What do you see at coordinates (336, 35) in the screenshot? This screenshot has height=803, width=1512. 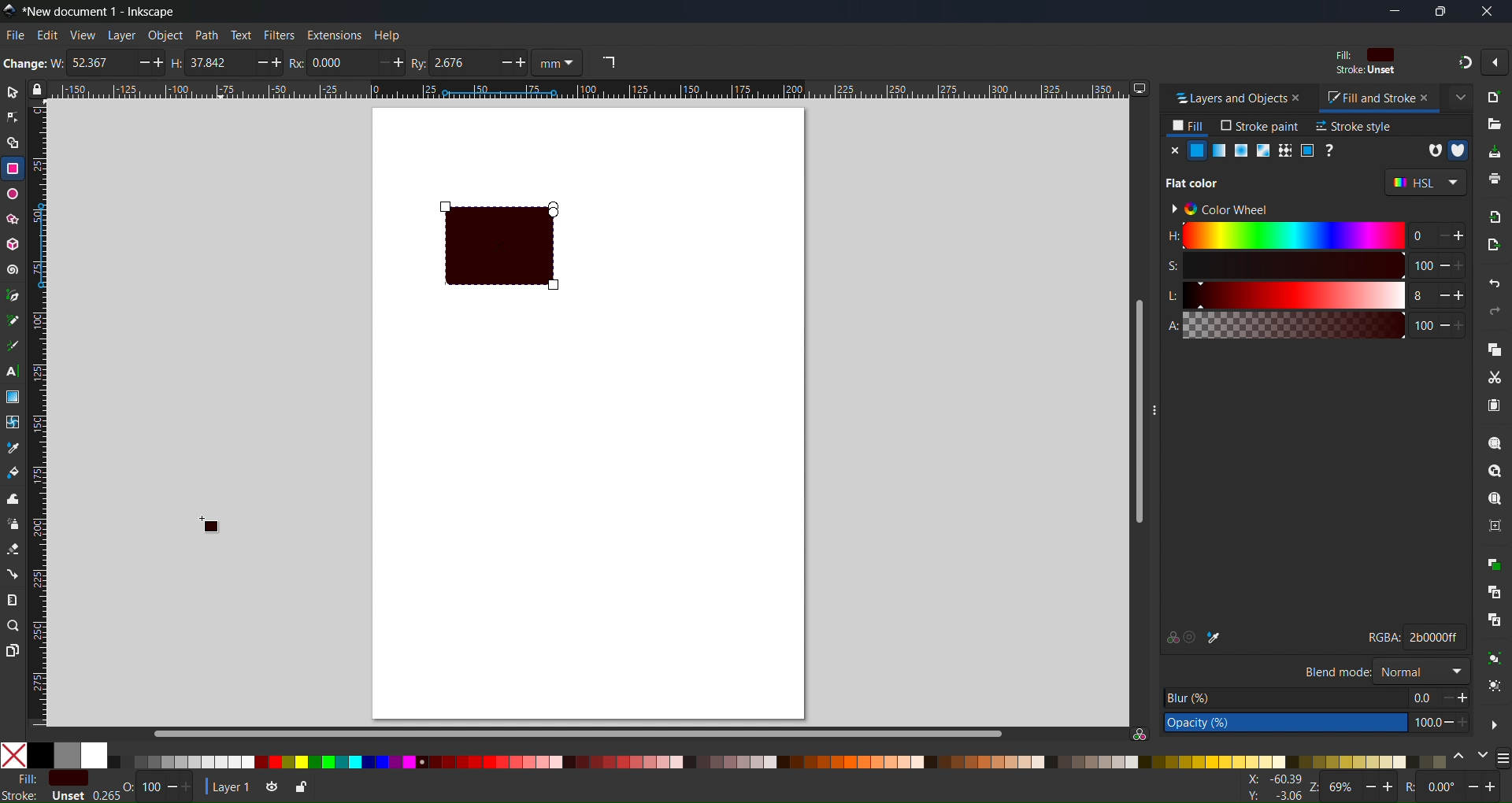 I see `Extensions` at bounding box center [336, 35].